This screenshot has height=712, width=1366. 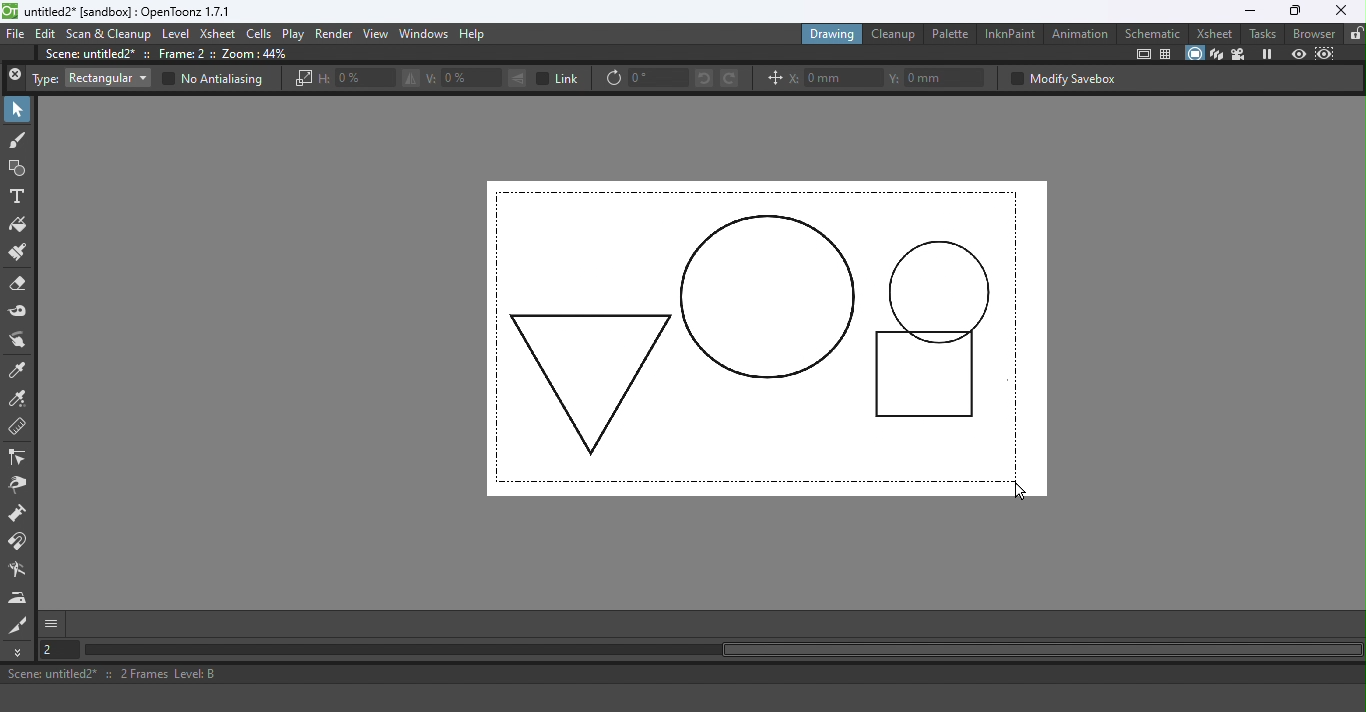 I want to click on Link, so click(x=560, y=78).